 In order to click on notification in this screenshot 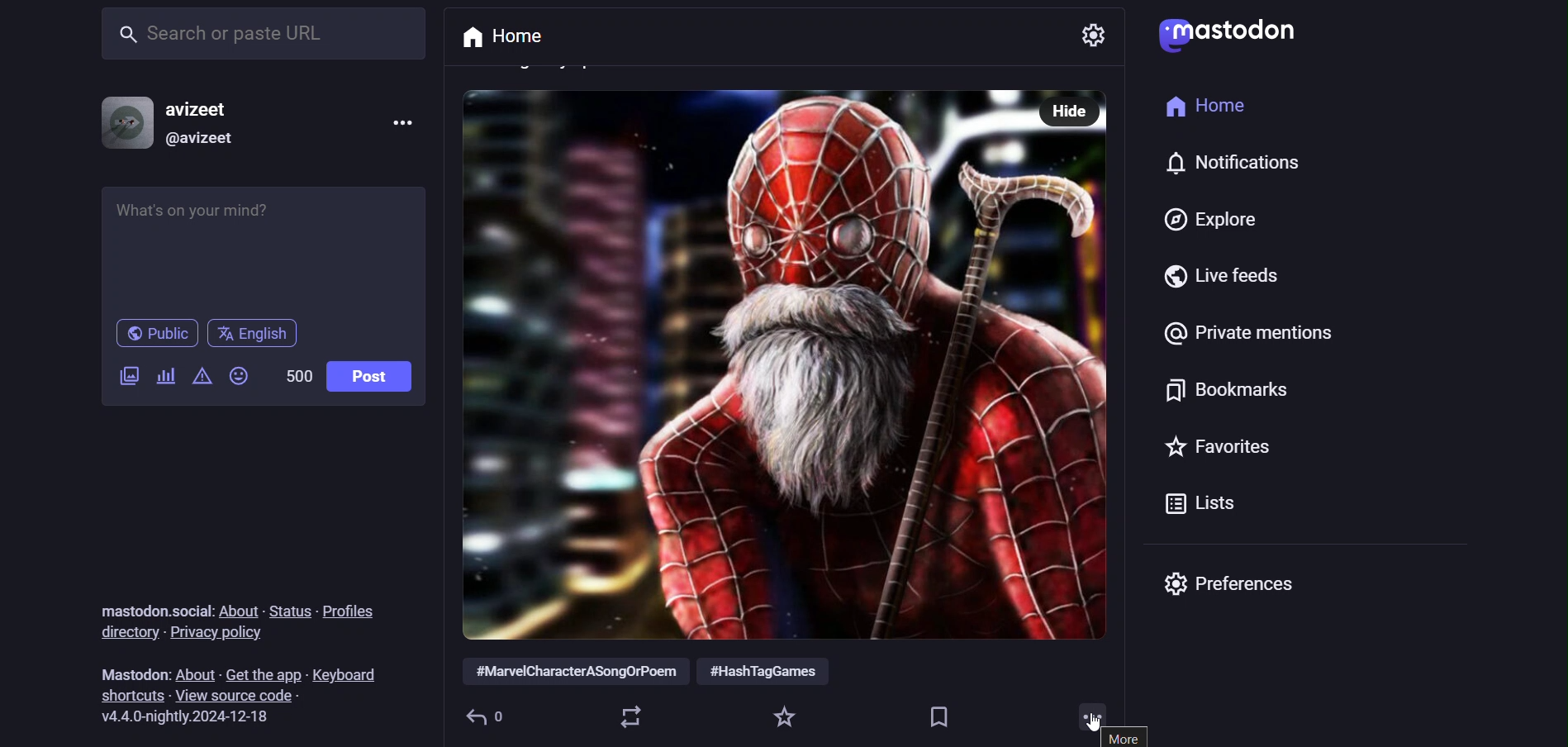, I will do `click(1243, 165)`.